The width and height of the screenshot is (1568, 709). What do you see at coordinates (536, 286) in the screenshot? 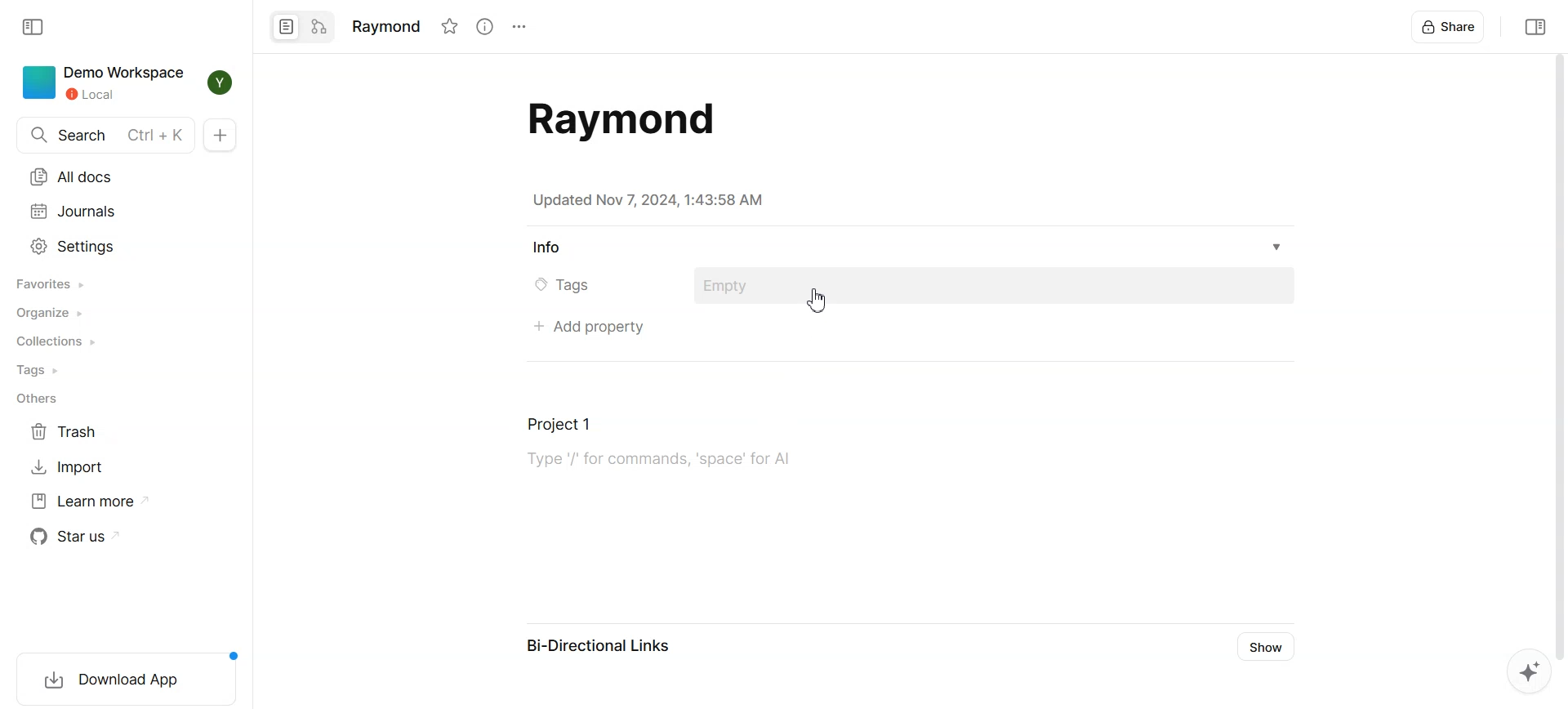
I see `Tag icon` at bounding box center [536, 286].